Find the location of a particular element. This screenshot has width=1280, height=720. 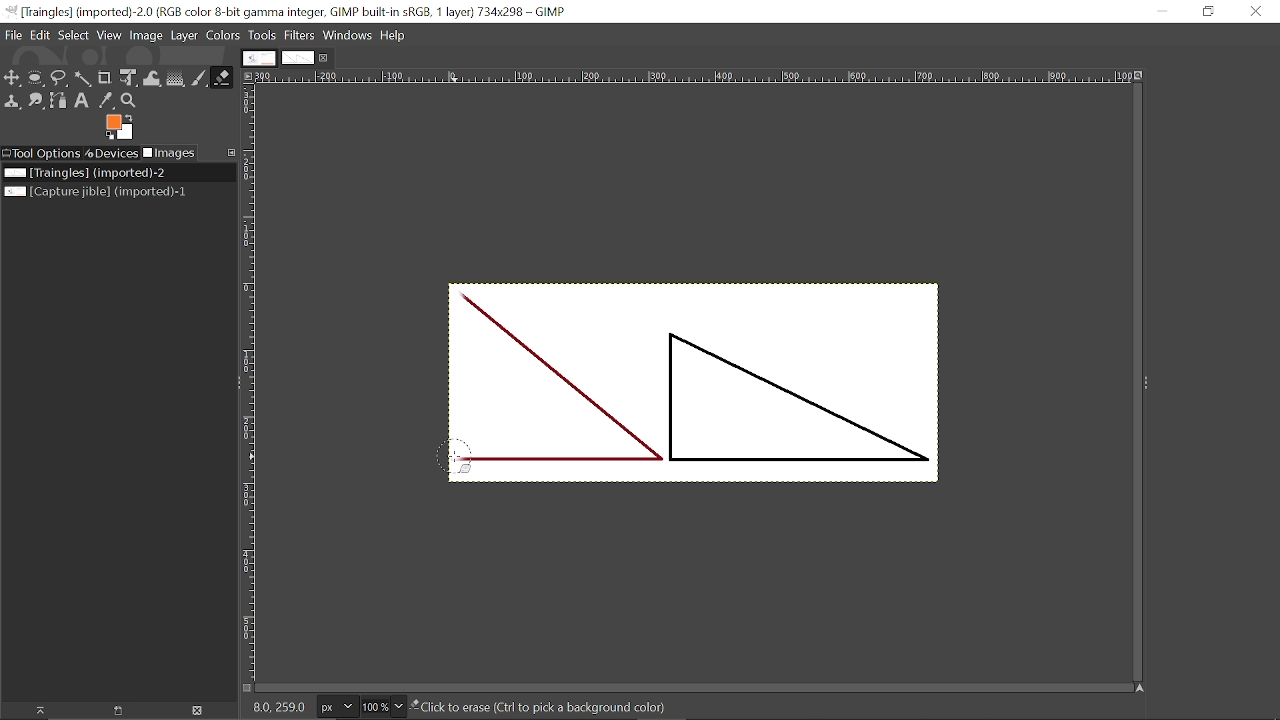

Open image in new display is located at coordinates (115, 711).